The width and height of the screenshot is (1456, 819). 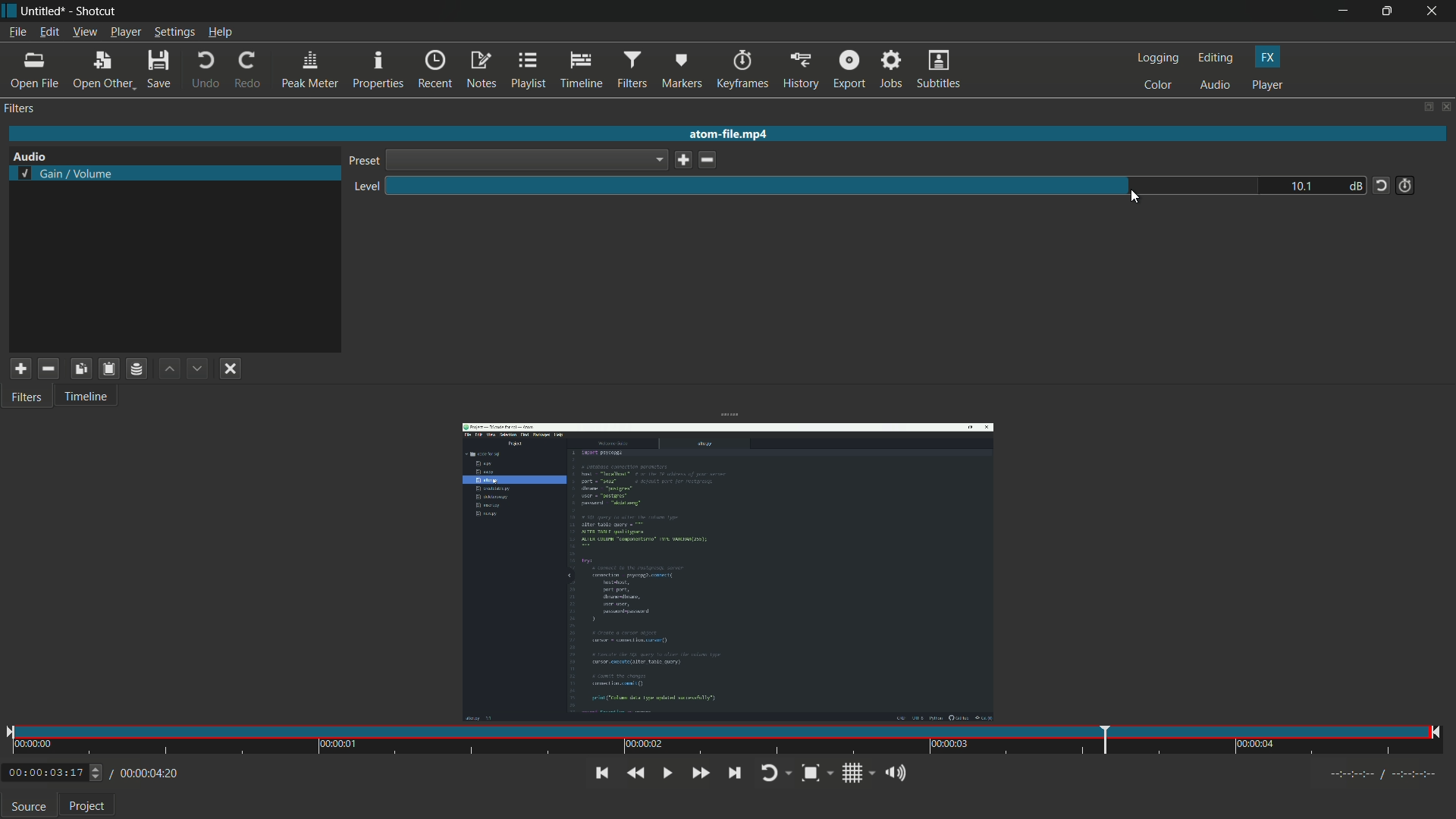 I want to click on 00:00:03:17 (Current Time), so click(x=55, y=773).